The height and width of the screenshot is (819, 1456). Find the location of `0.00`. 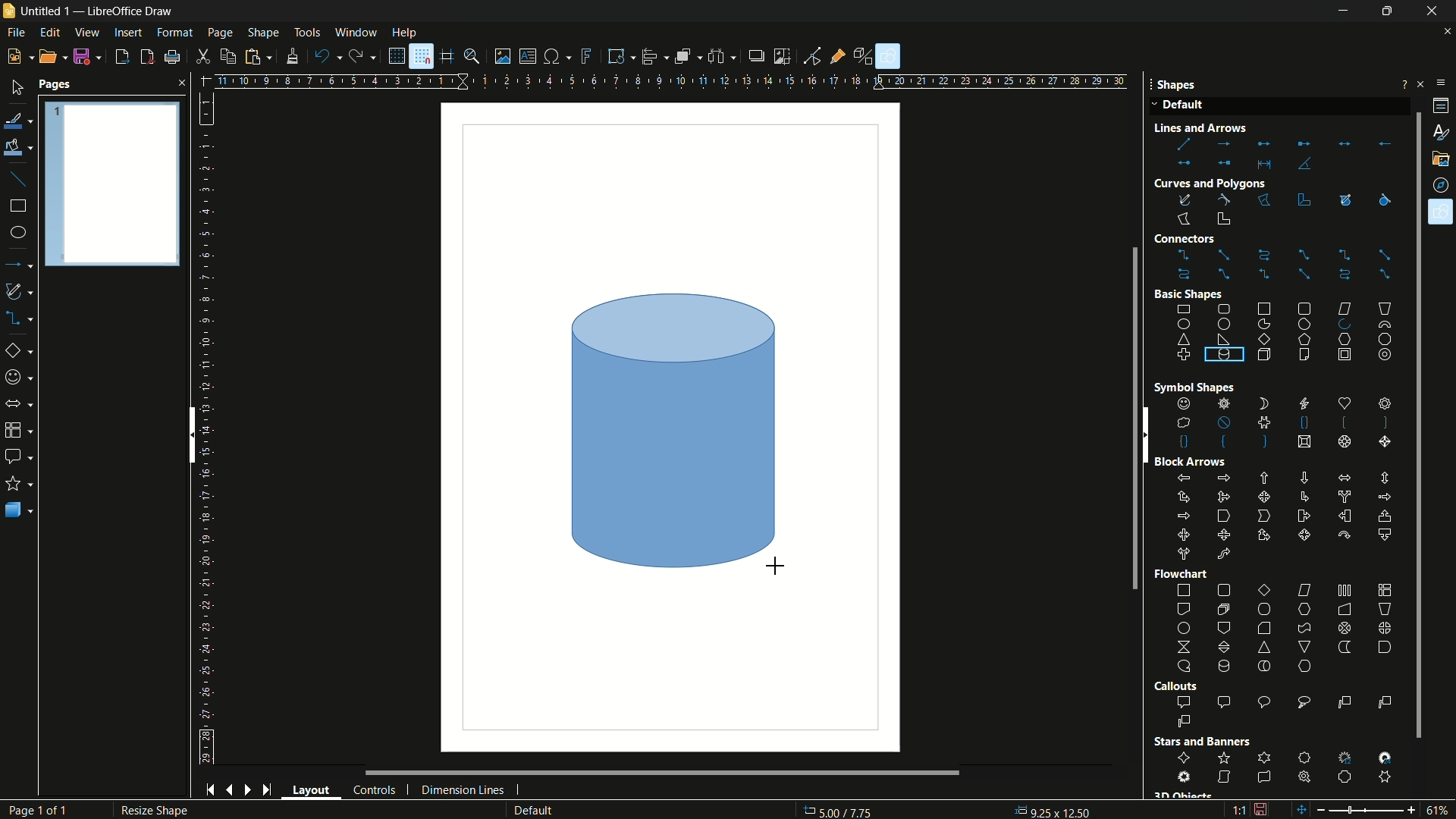

0.00 is located at coordinates (1052, 808).